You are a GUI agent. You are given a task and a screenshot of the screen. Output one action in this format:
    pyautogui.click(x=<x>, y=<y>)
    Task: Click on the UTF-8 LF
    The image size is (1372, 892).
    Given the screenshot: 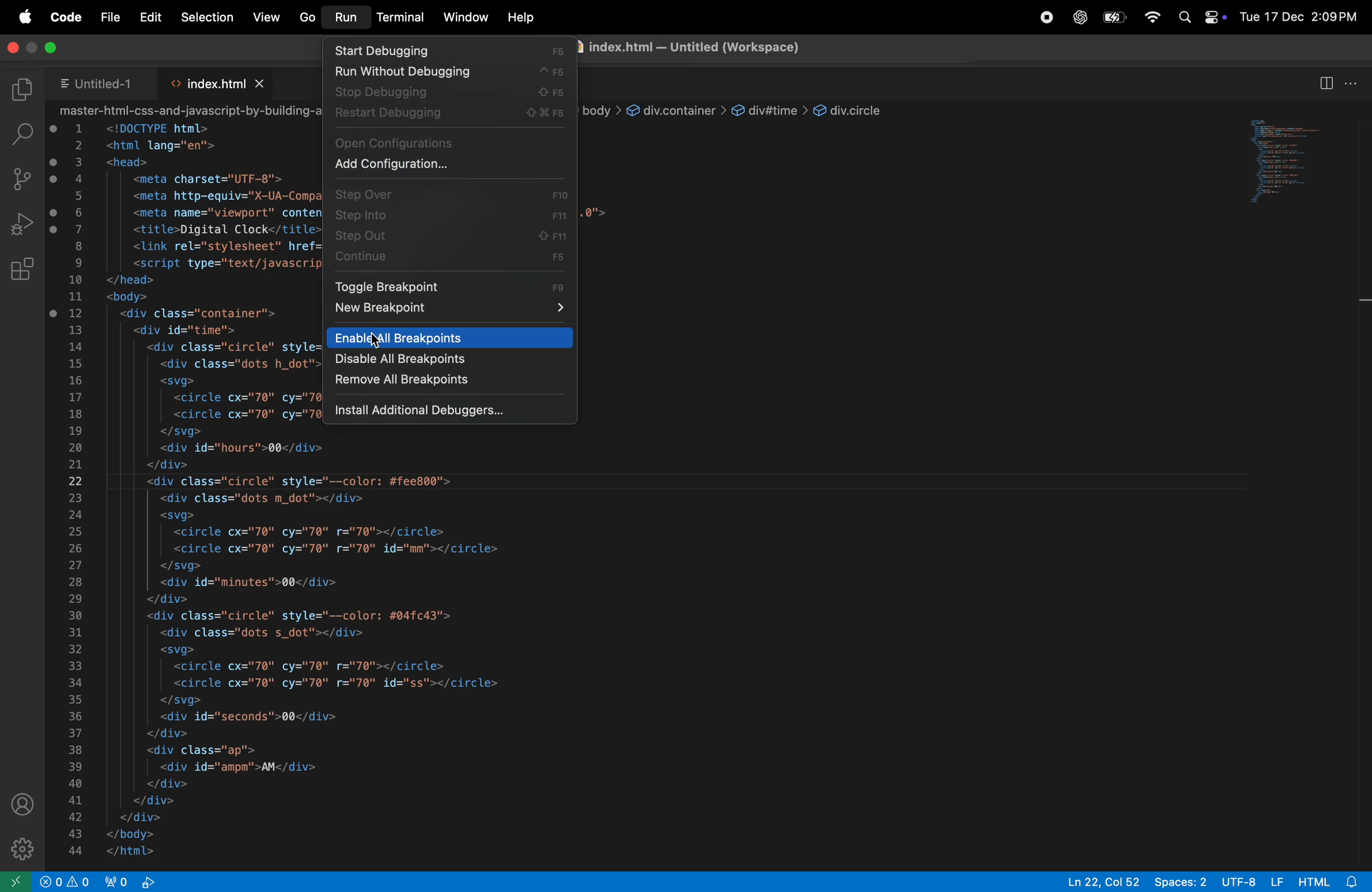 What is the action you would take?
    pyautogui.click(x=1252, y=880)
    